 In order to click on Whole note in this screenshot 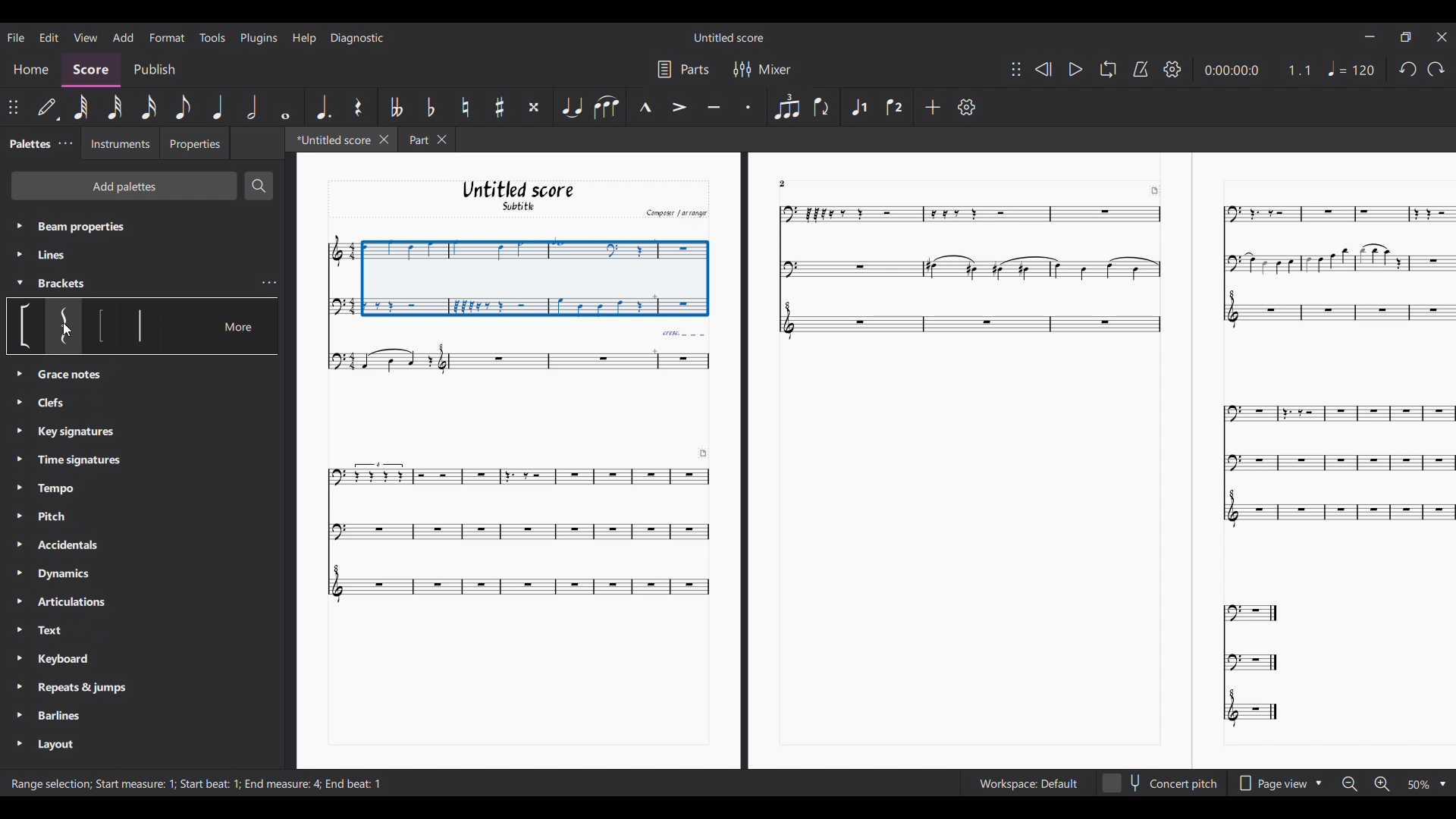, I will do `click(284, 107)`.